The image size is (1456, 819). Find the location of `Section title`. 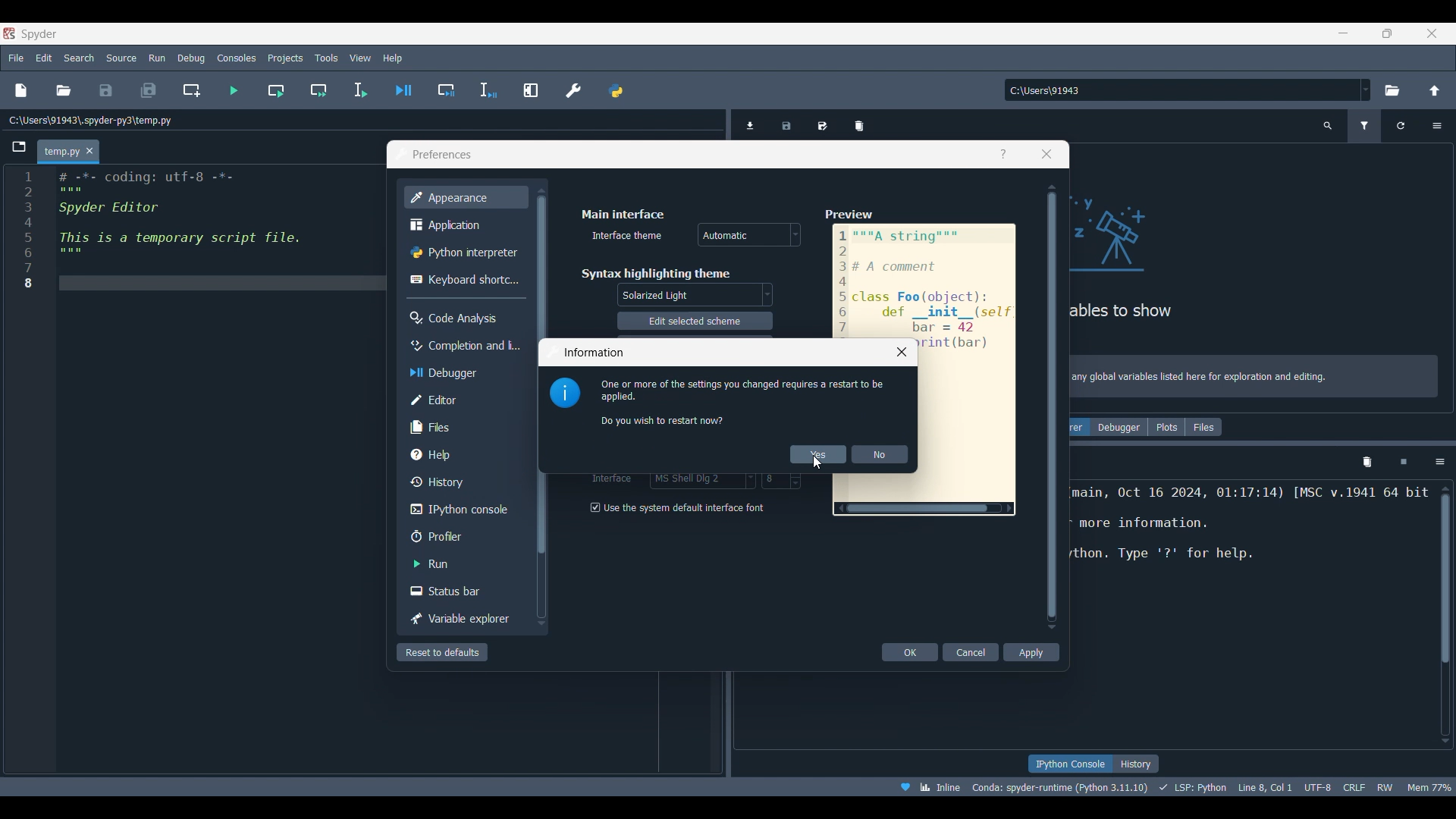

Section title is located at coordinates (655, 274).